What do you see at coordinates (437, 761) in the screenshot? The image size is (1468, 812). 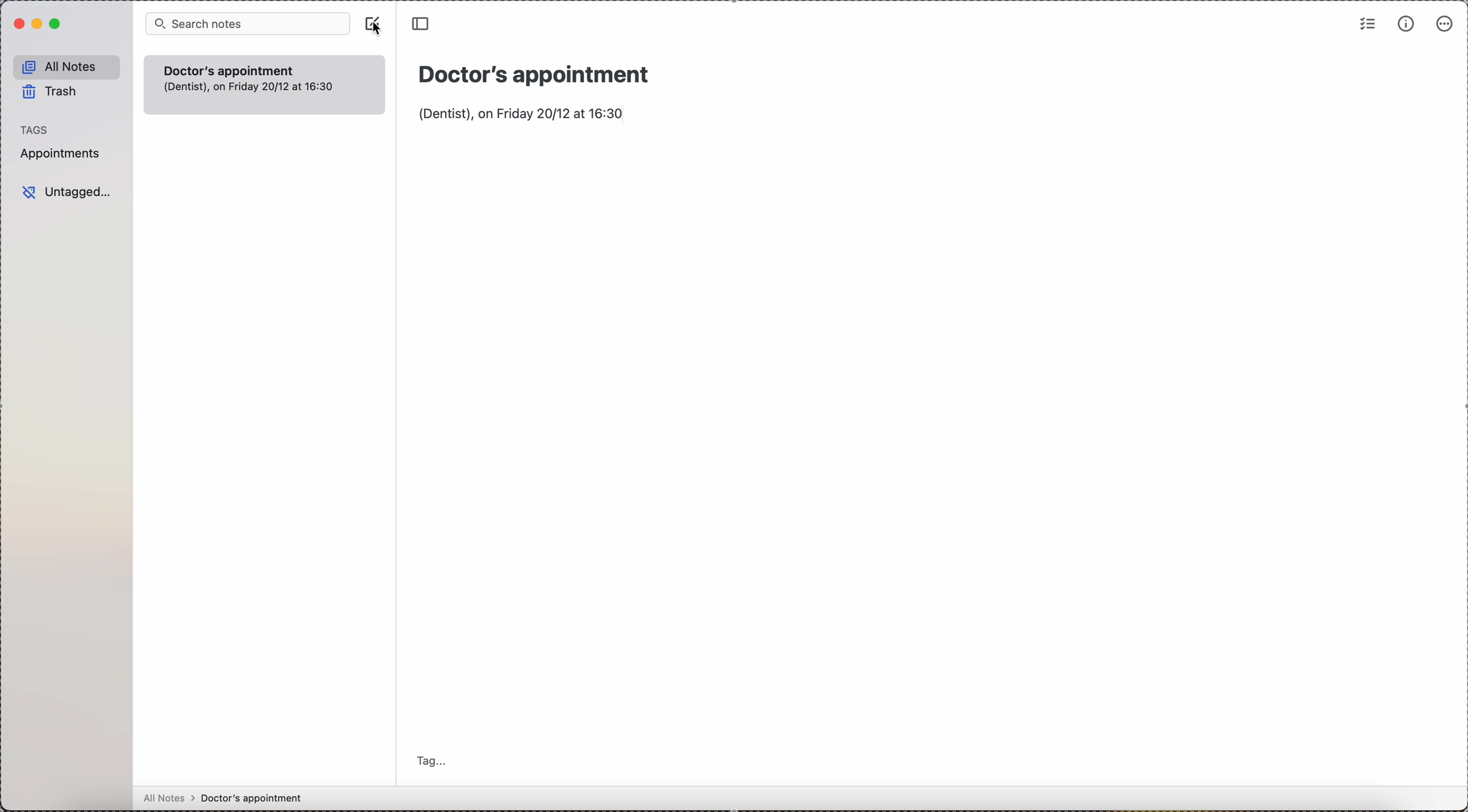 I see `tag` at bounding box center [437, 761].